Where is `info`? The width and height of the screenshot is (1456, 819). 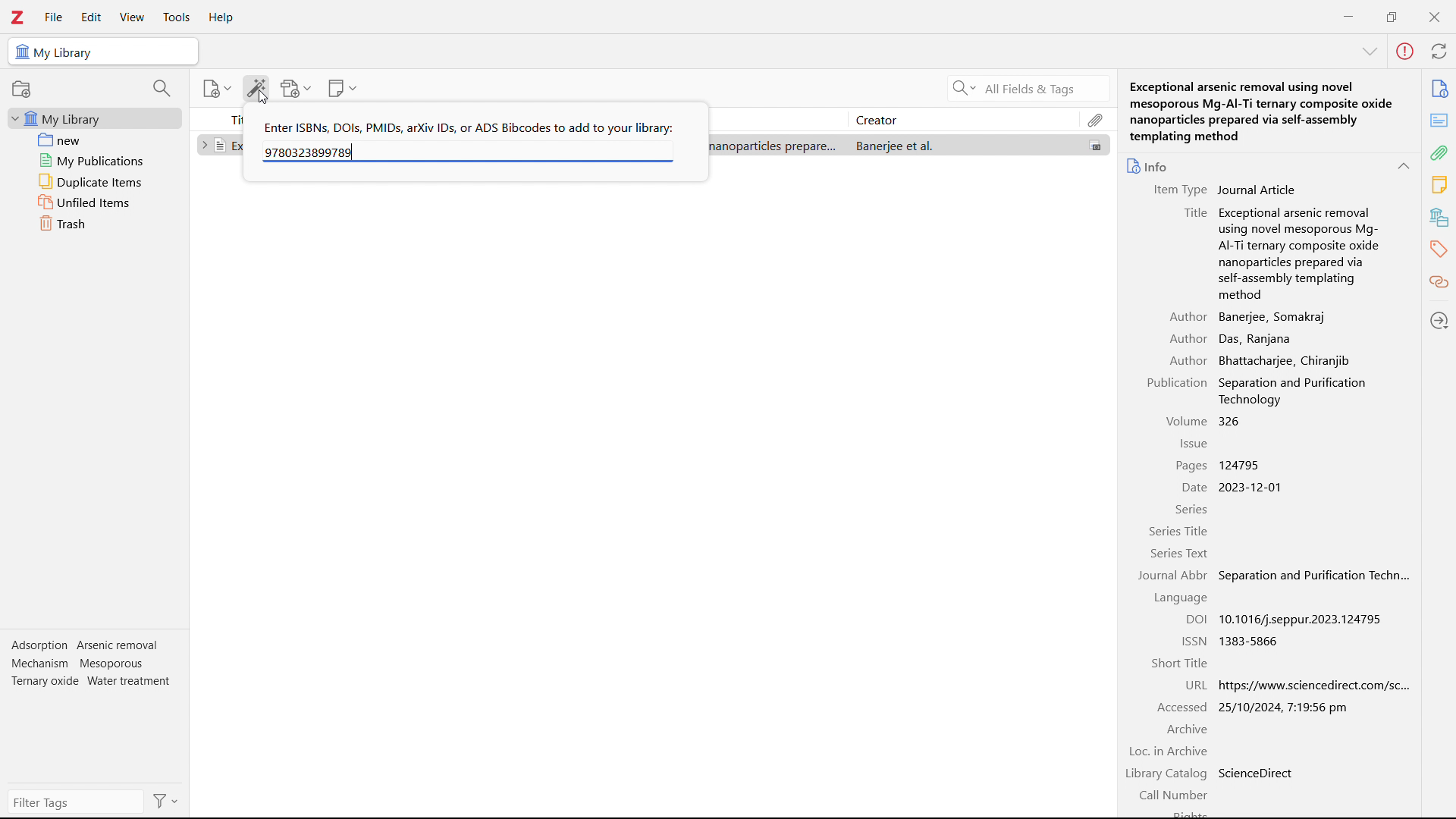
info is located at coordinates (1439, 89).